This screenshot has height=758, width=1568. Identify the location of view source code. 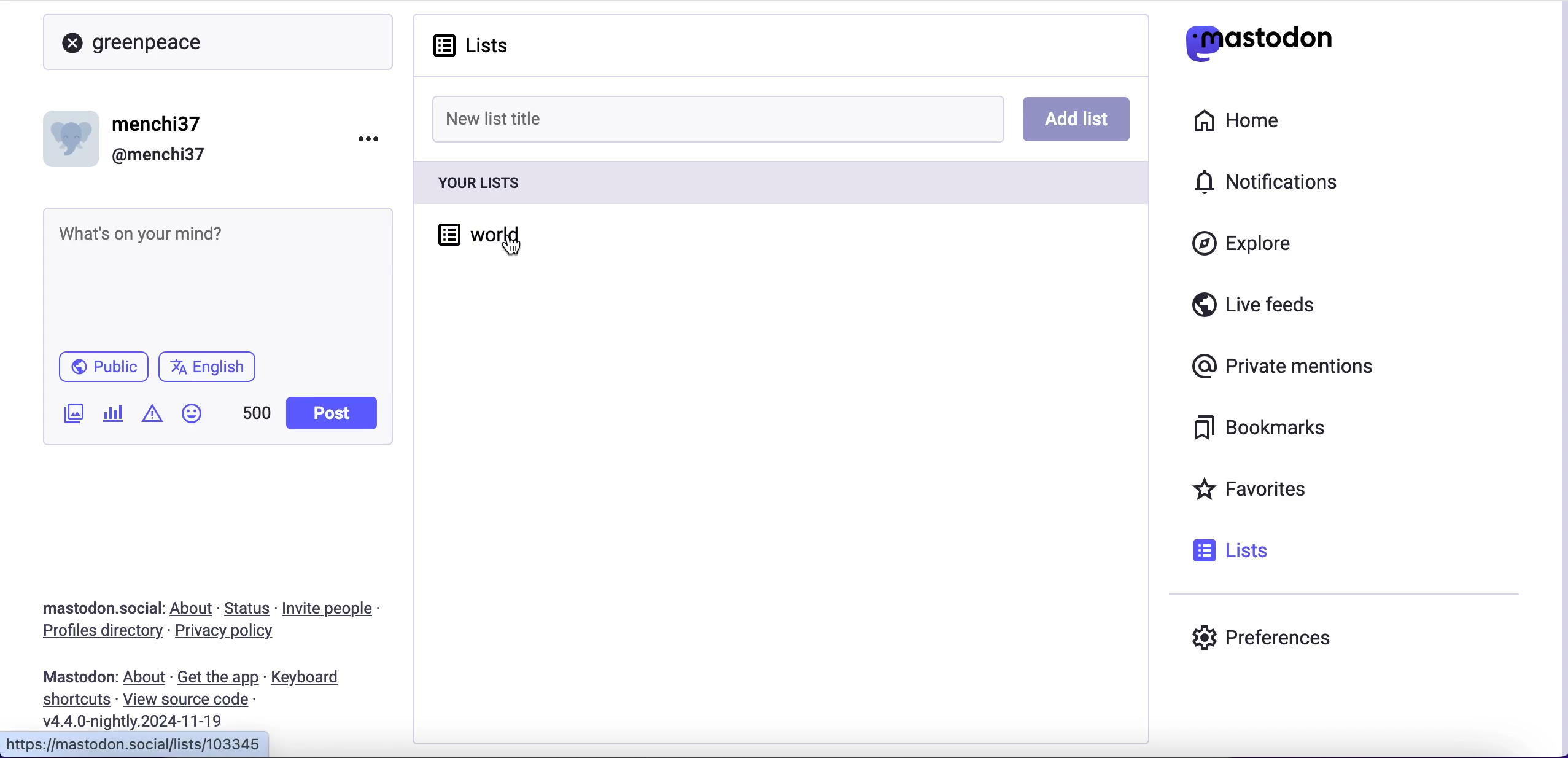
(190, 700).